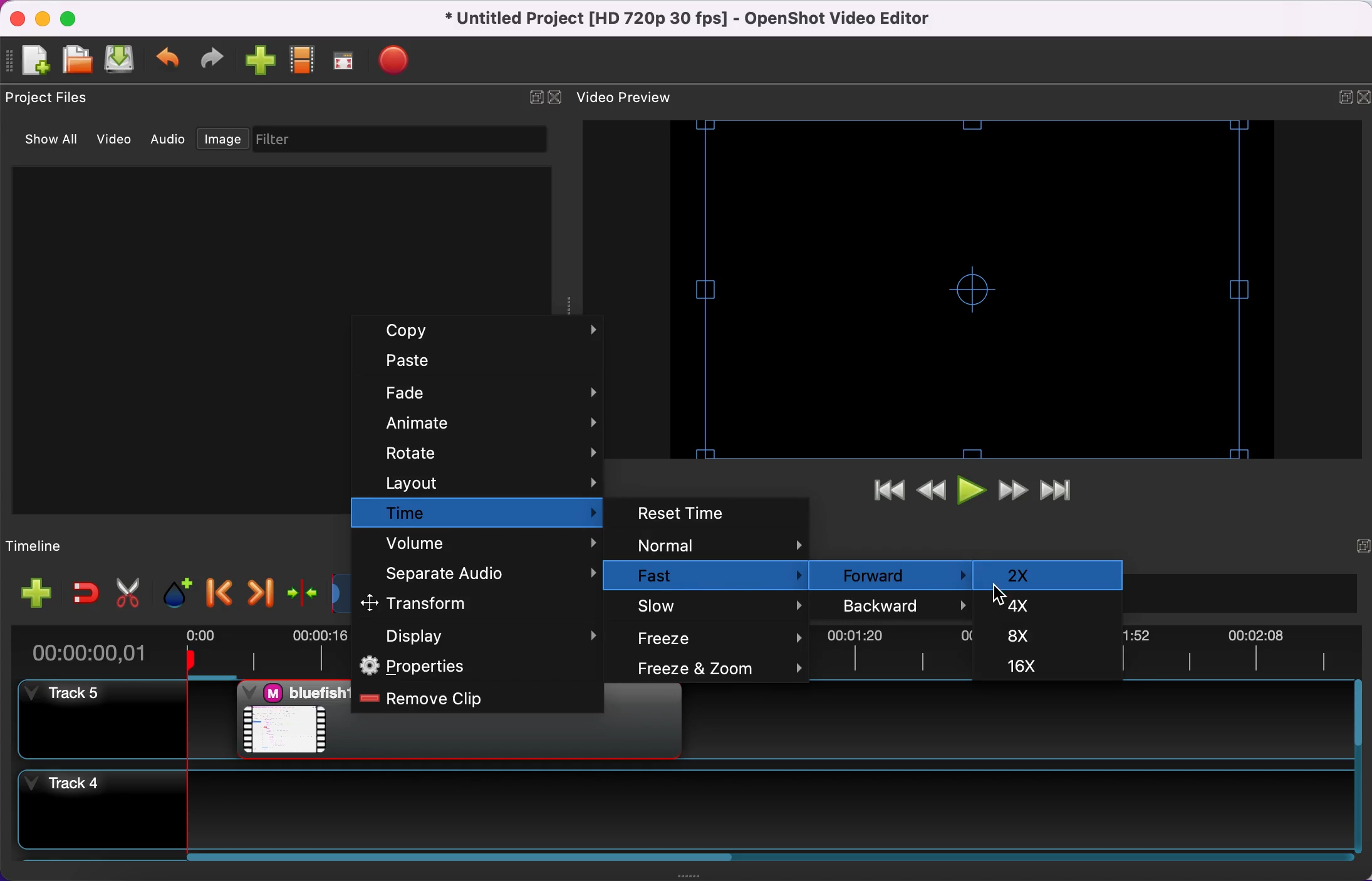 This screenshot has height=881, width=1372. Describe the element at coordinates (718, 669) in the screenshot. I see `freeze and zoom` at that location.